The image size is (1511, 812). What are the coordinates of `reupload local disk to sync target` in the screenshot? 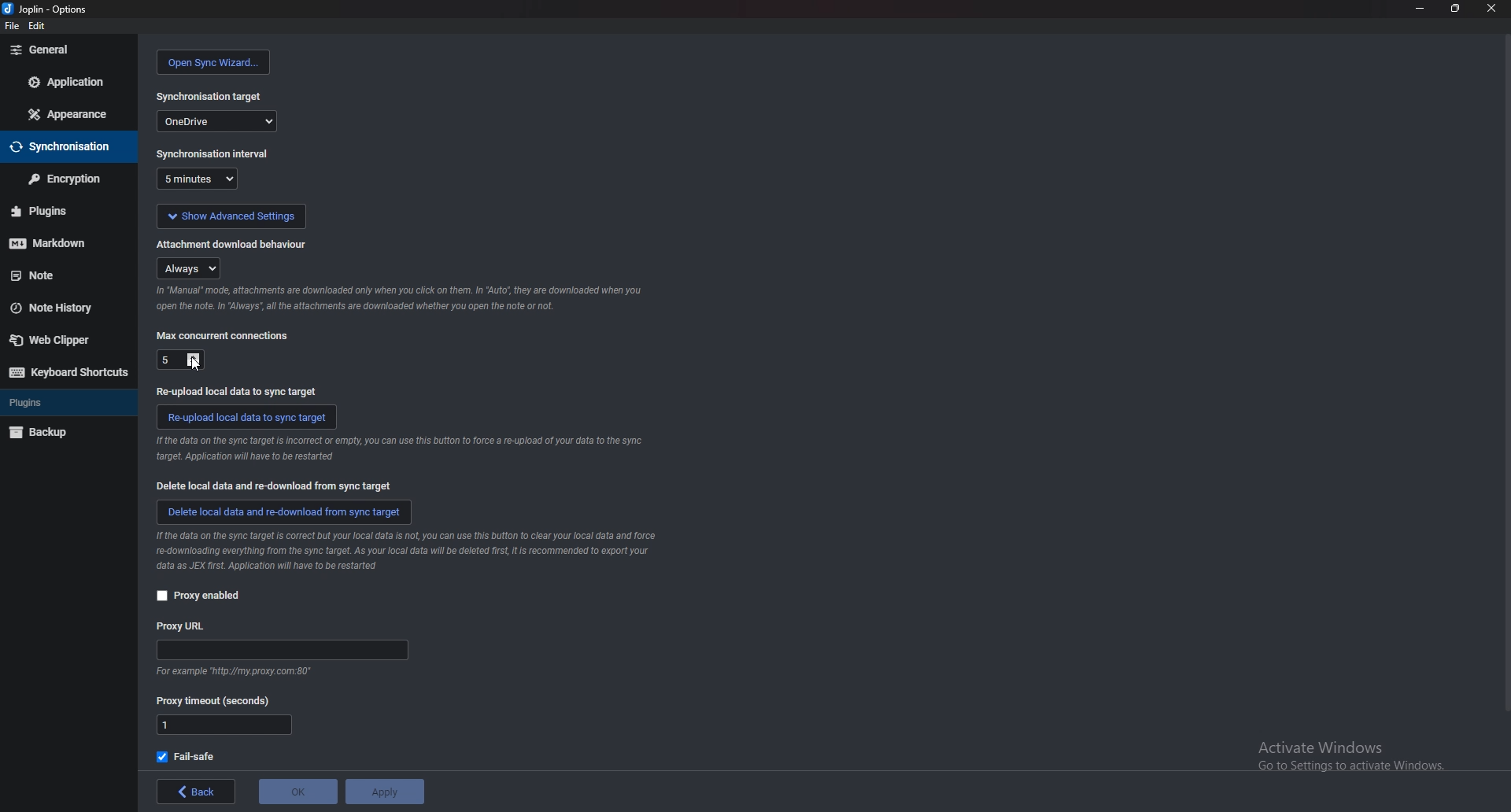 It's located at (247, 418).